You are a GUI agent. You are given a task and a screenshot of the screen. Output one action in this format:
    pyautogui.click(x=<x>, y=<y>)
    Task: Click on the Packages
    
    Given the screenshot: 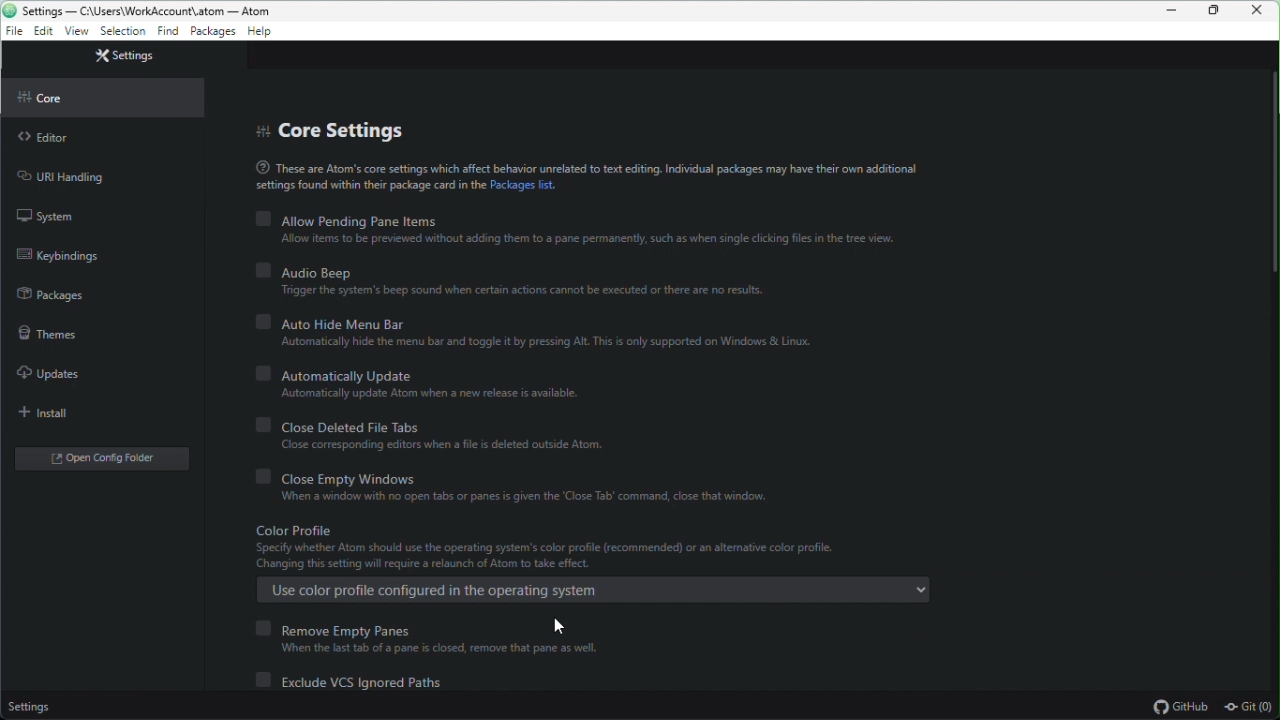 What is the action you would take?
    pyautogui.click(x=55, y=291)
    